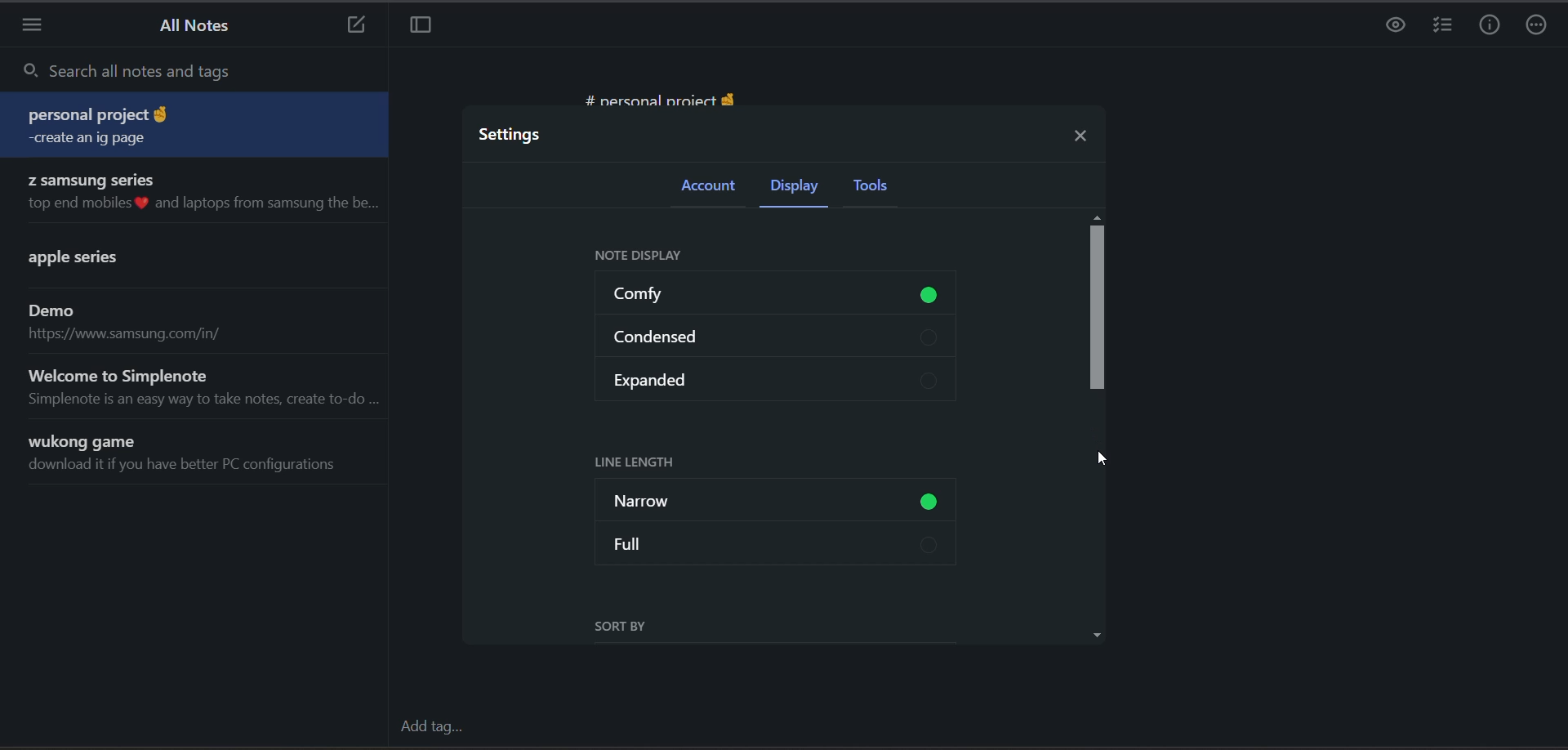 The image size is (1568, 750). What do you see at coordinates (35, 29) in the screenshot?
I see `menu` at bounding box center [35, 29].